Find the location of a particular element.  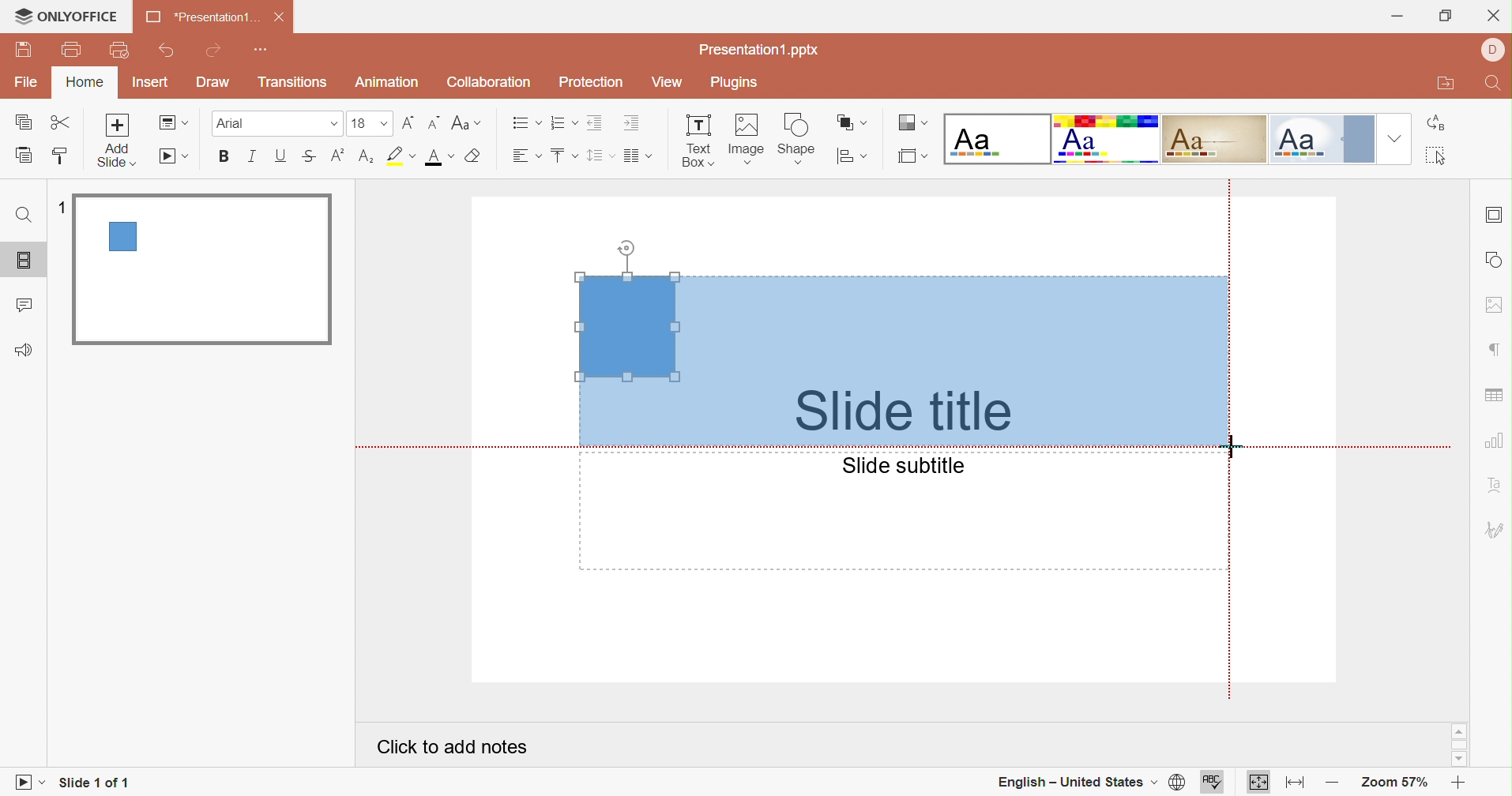

Start slideshow is located at coordinates (27, 784).